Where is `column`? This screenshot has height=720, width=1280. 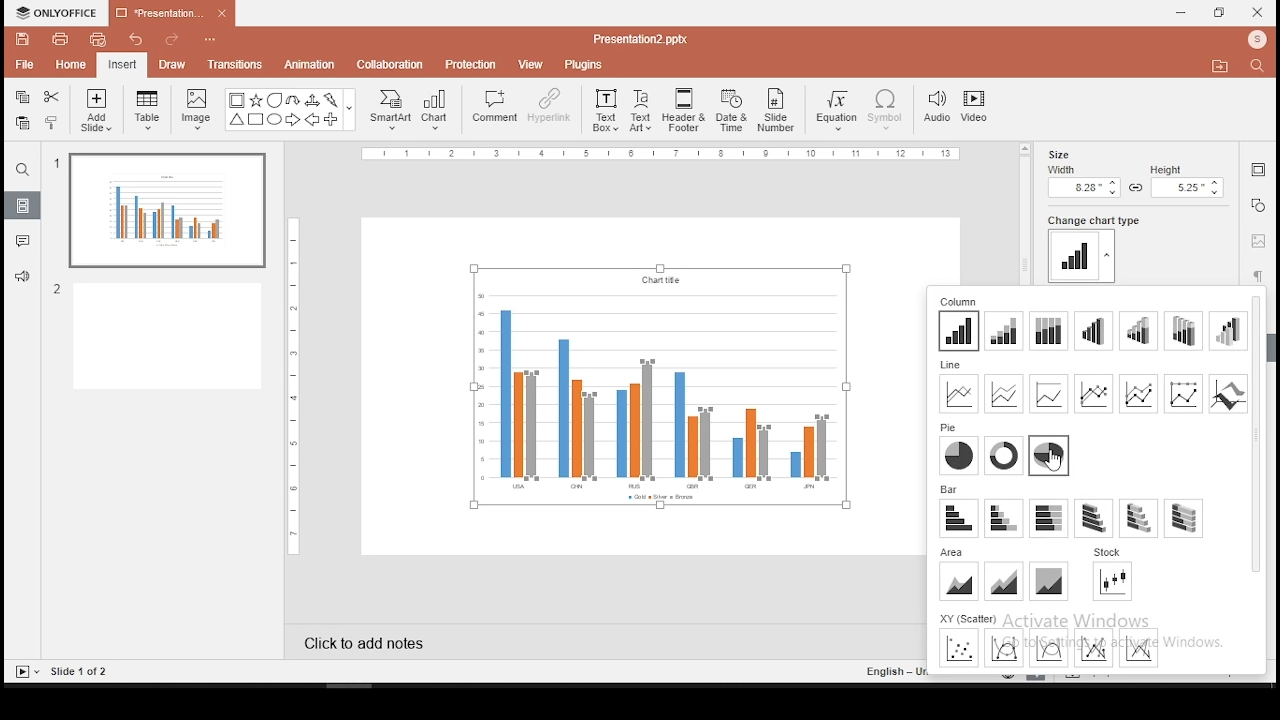
column is located at coordinates (960, 301).